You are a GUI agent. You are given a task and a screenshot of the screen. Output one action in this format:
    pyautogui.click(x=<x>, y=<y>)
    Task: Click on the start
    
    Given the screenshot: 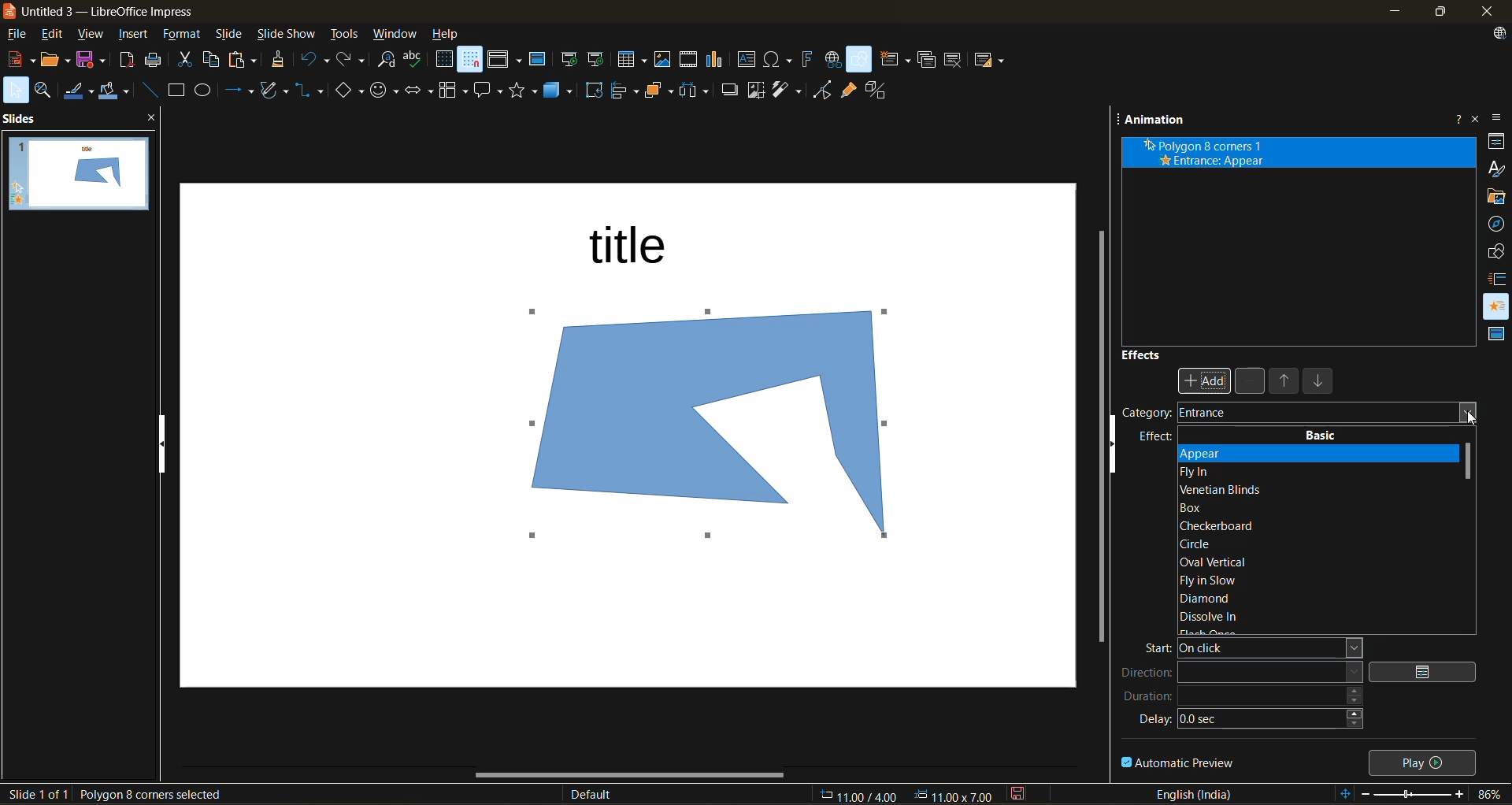 What is the action you would take?
    pyautogui.click(x=1251, y=646)
    